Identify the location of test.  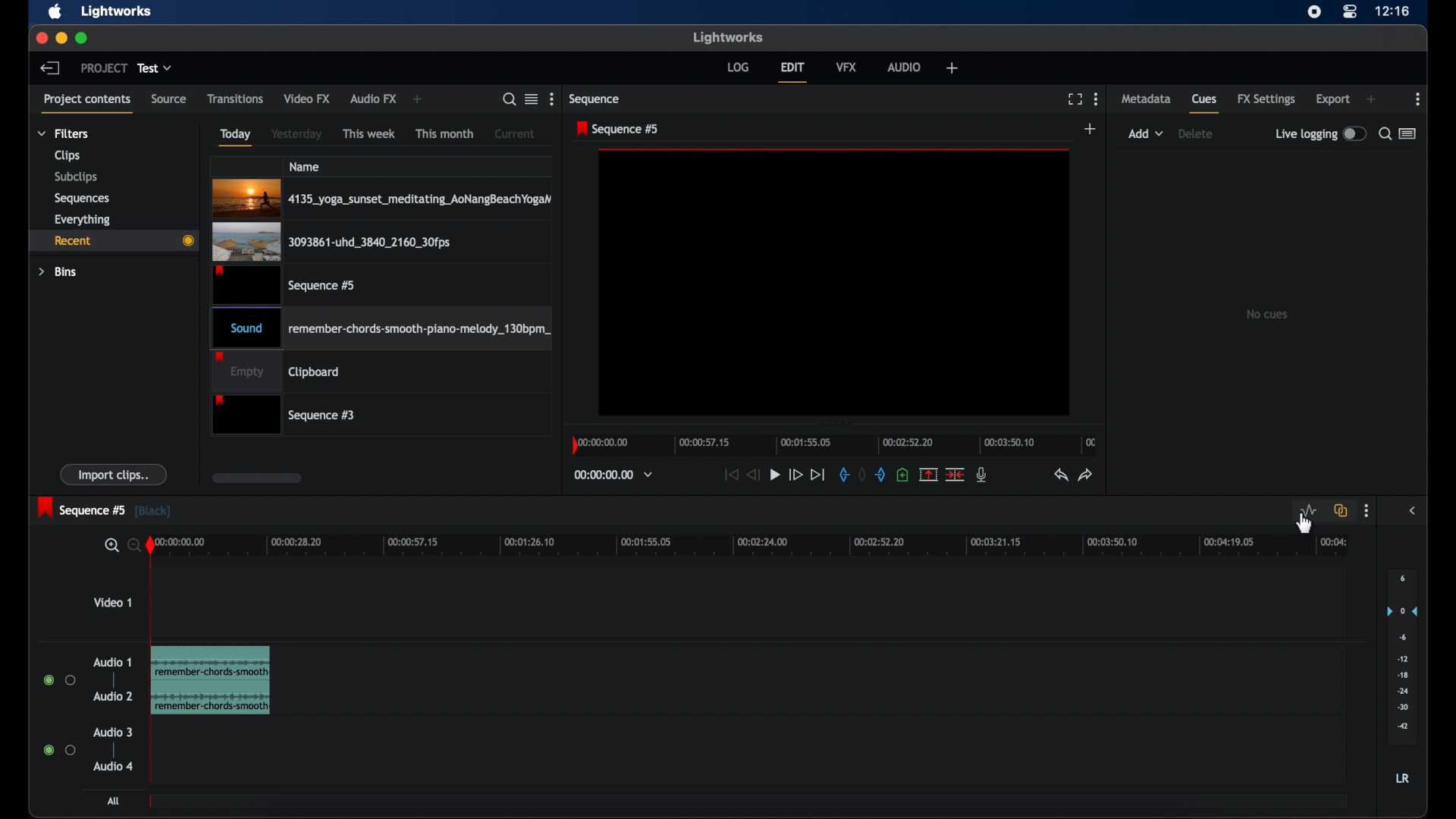
(156, 68).